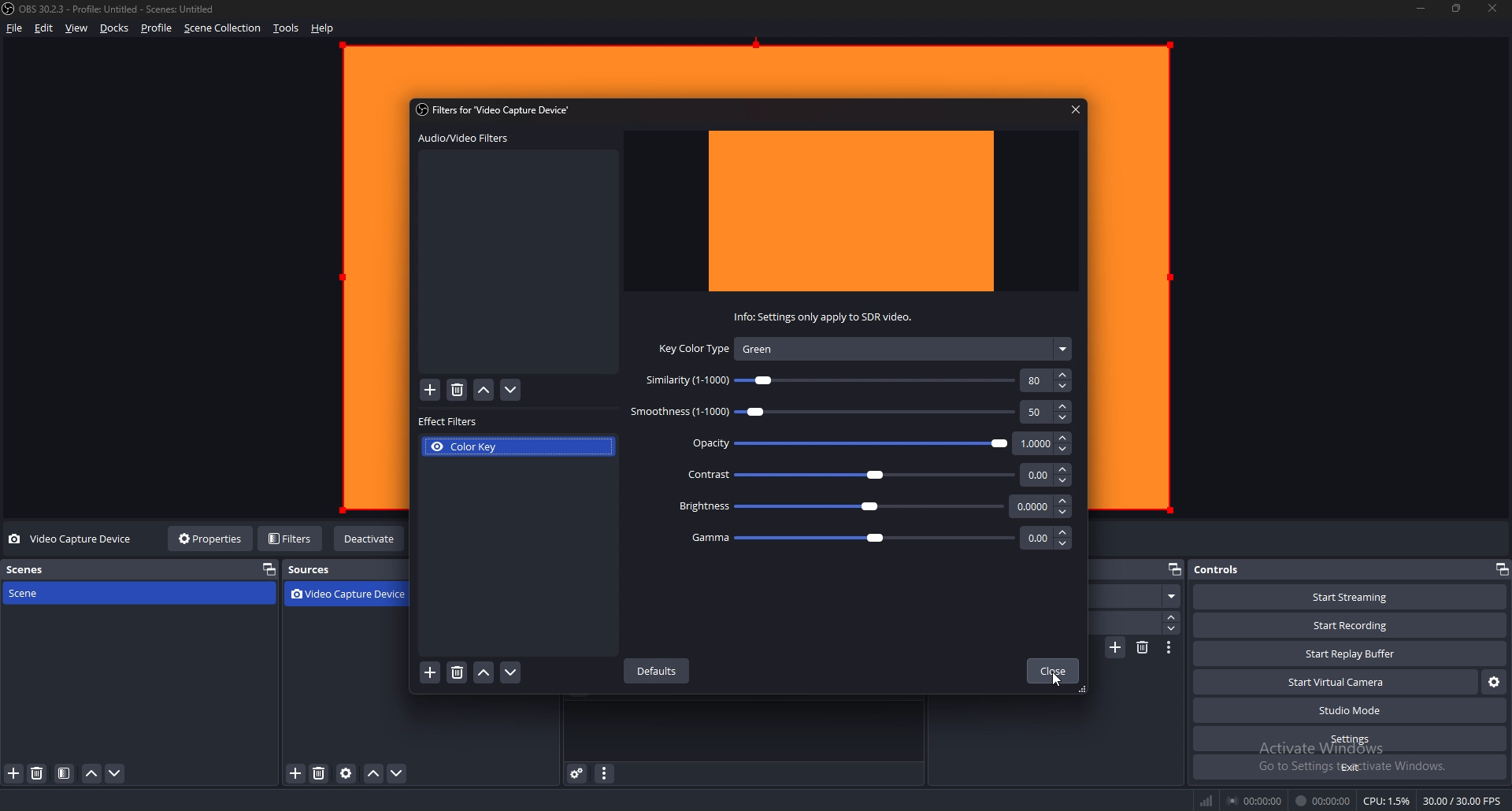 The image size is (1512, 811). Describe the element at coordinates (1172, 617) in the screenshot. I see `increase duration` at that location.